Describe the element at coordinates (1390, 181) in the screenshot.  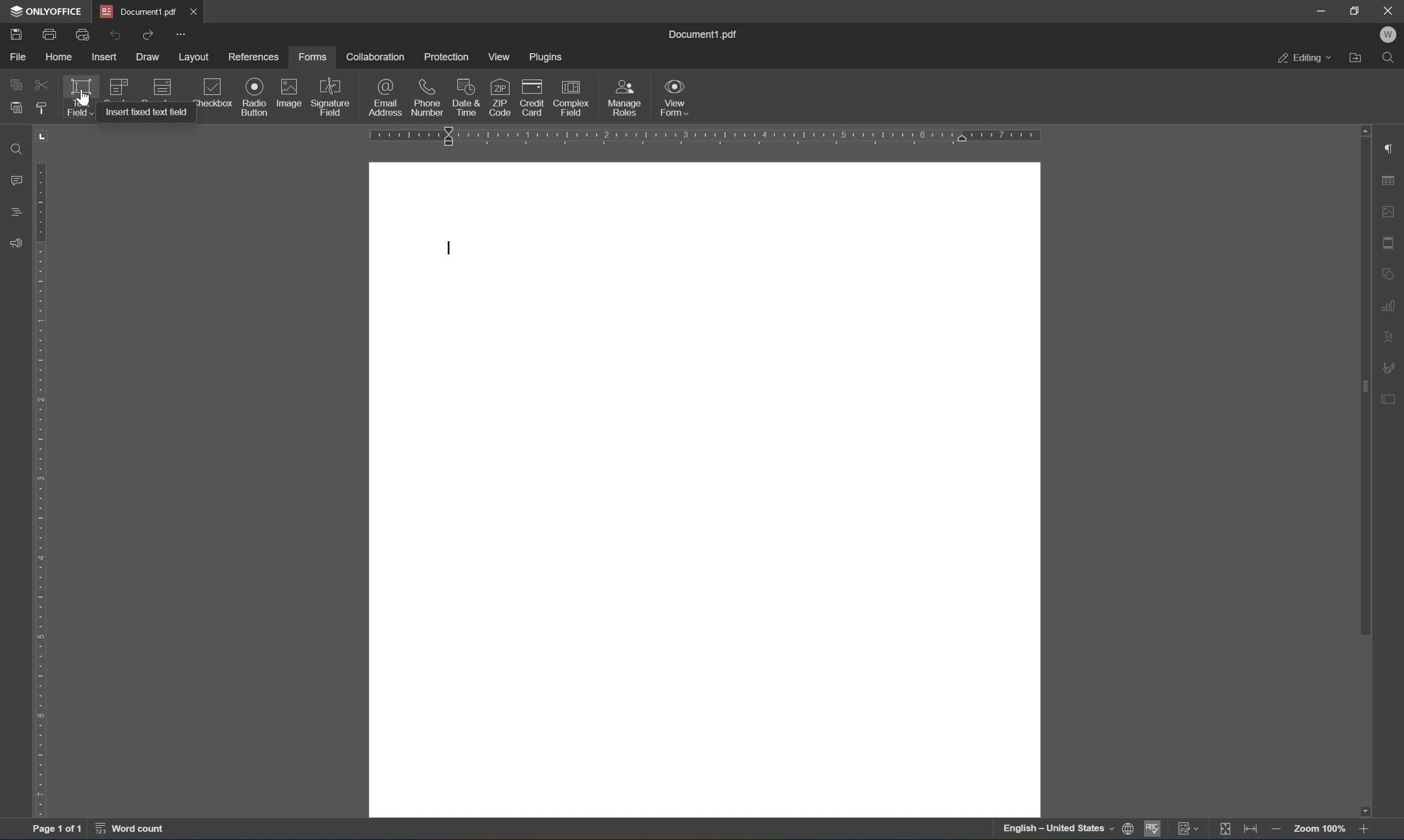
I see `table settings` at that location.